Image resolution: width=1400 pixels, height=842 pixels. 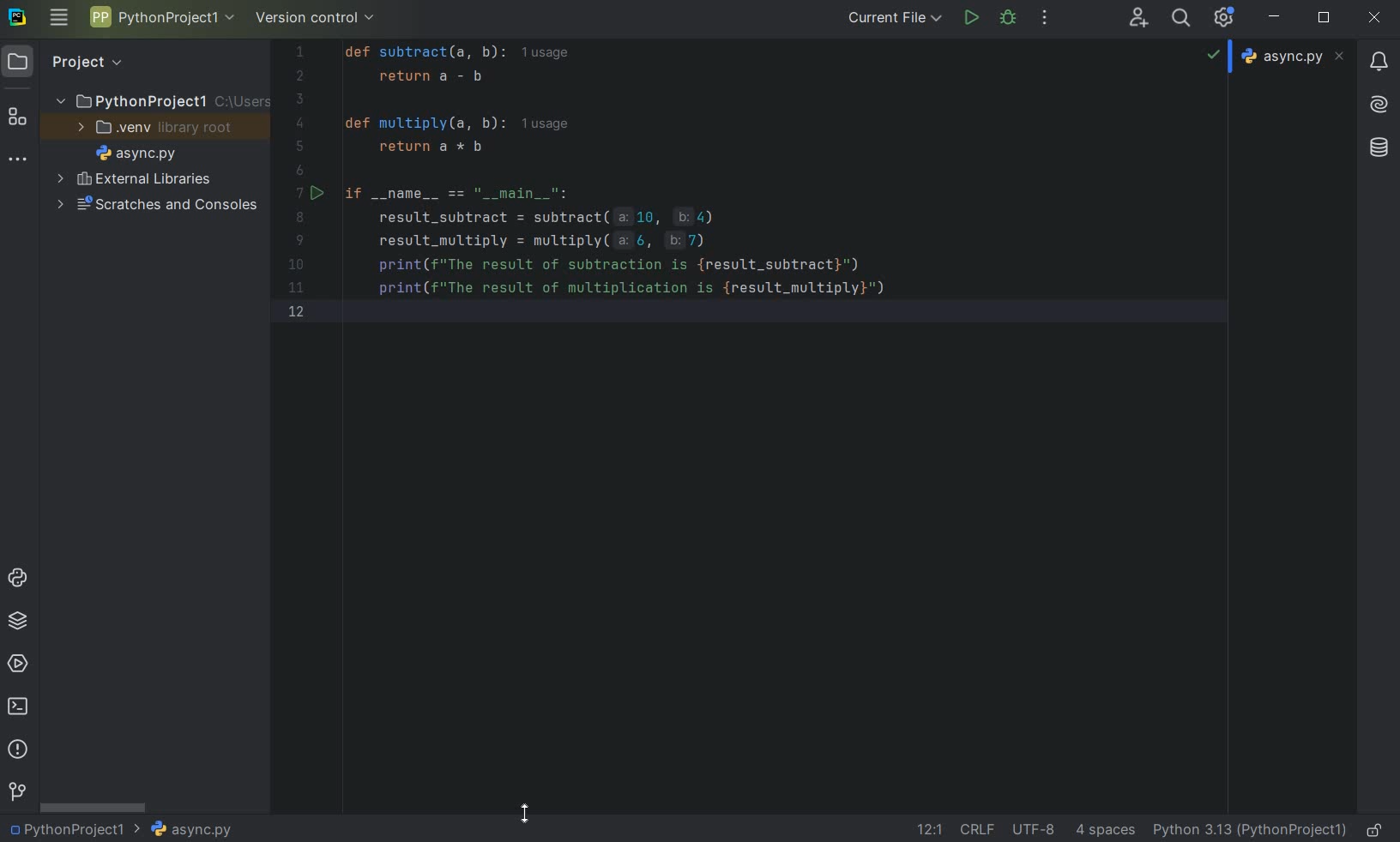 I want to click on problems, so click(x=17, y=749).